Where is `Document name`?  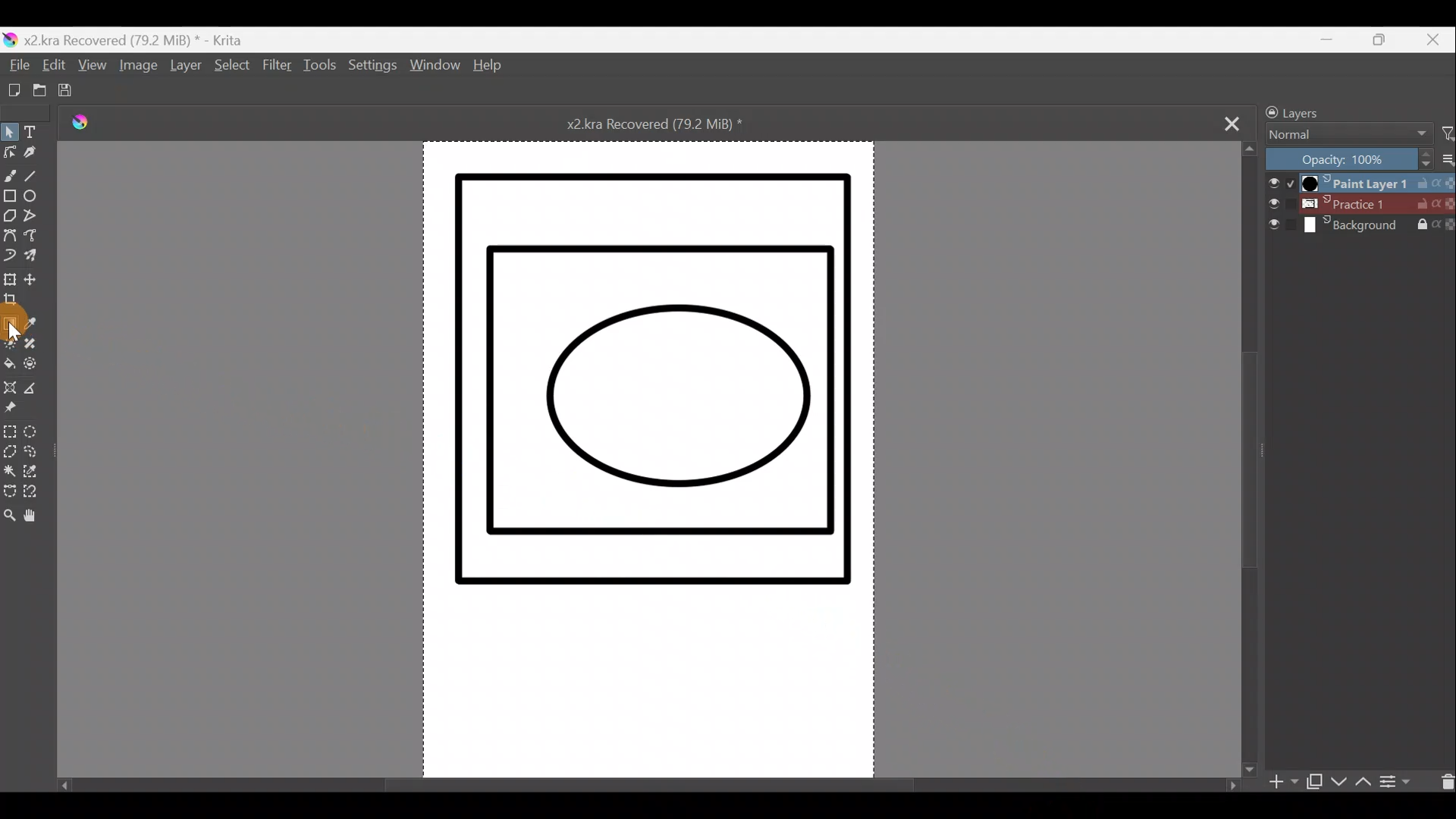 Document name is located at coordinates (132, 39).